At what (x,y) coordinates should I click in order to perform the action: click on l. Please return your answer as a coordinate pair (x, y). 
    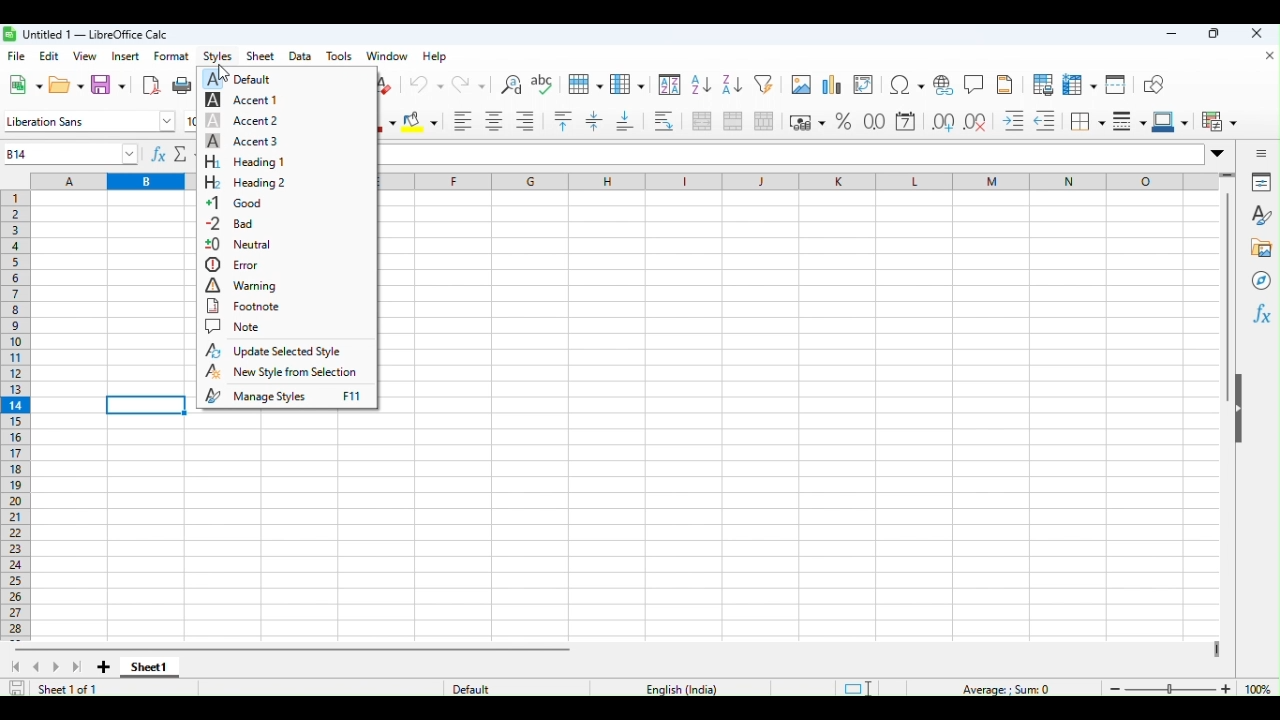
    Looking at the image, I should click on (917, 182).